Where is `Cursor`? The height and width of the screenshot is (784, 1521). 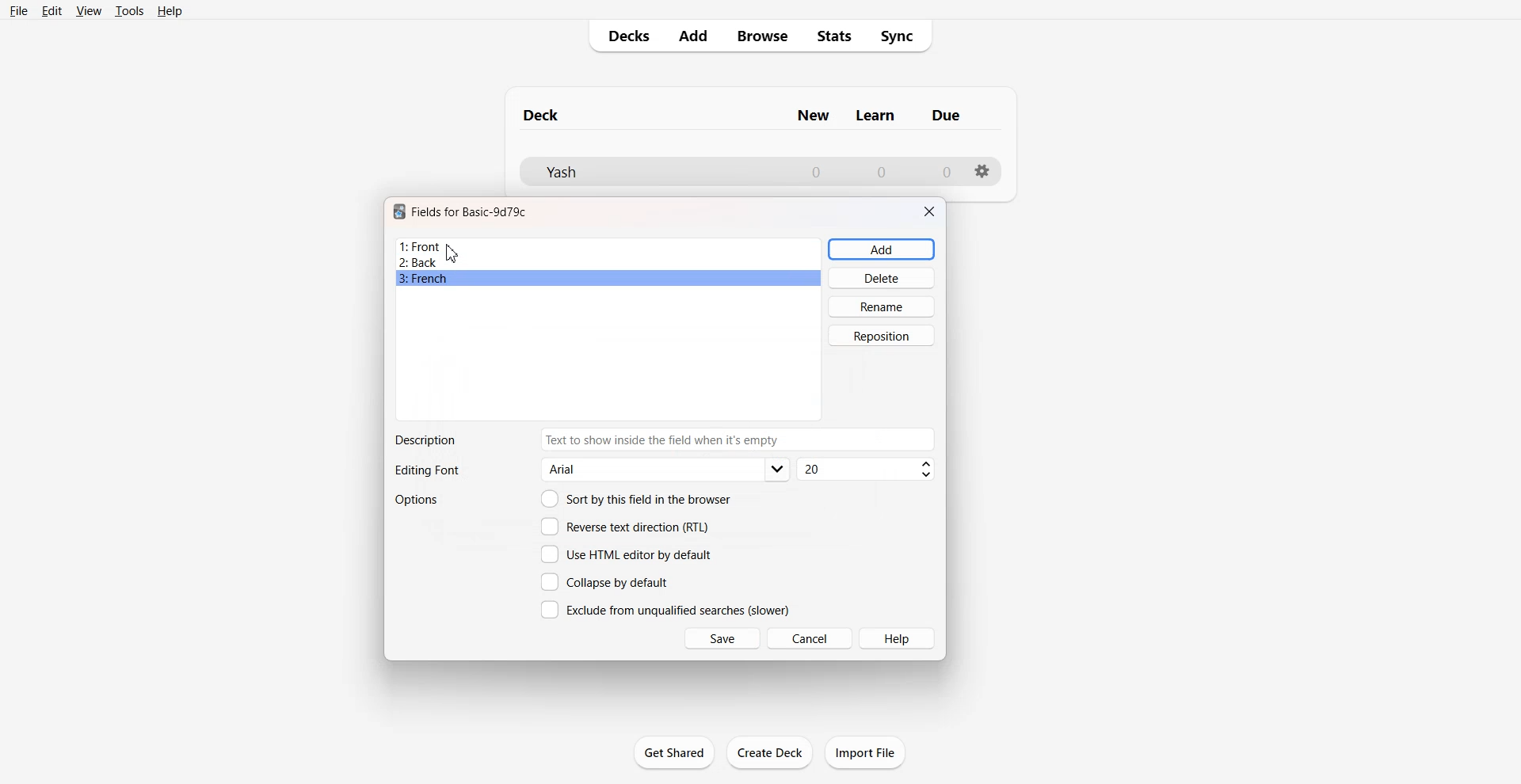 Cursor is located at coordinates (452, 253).